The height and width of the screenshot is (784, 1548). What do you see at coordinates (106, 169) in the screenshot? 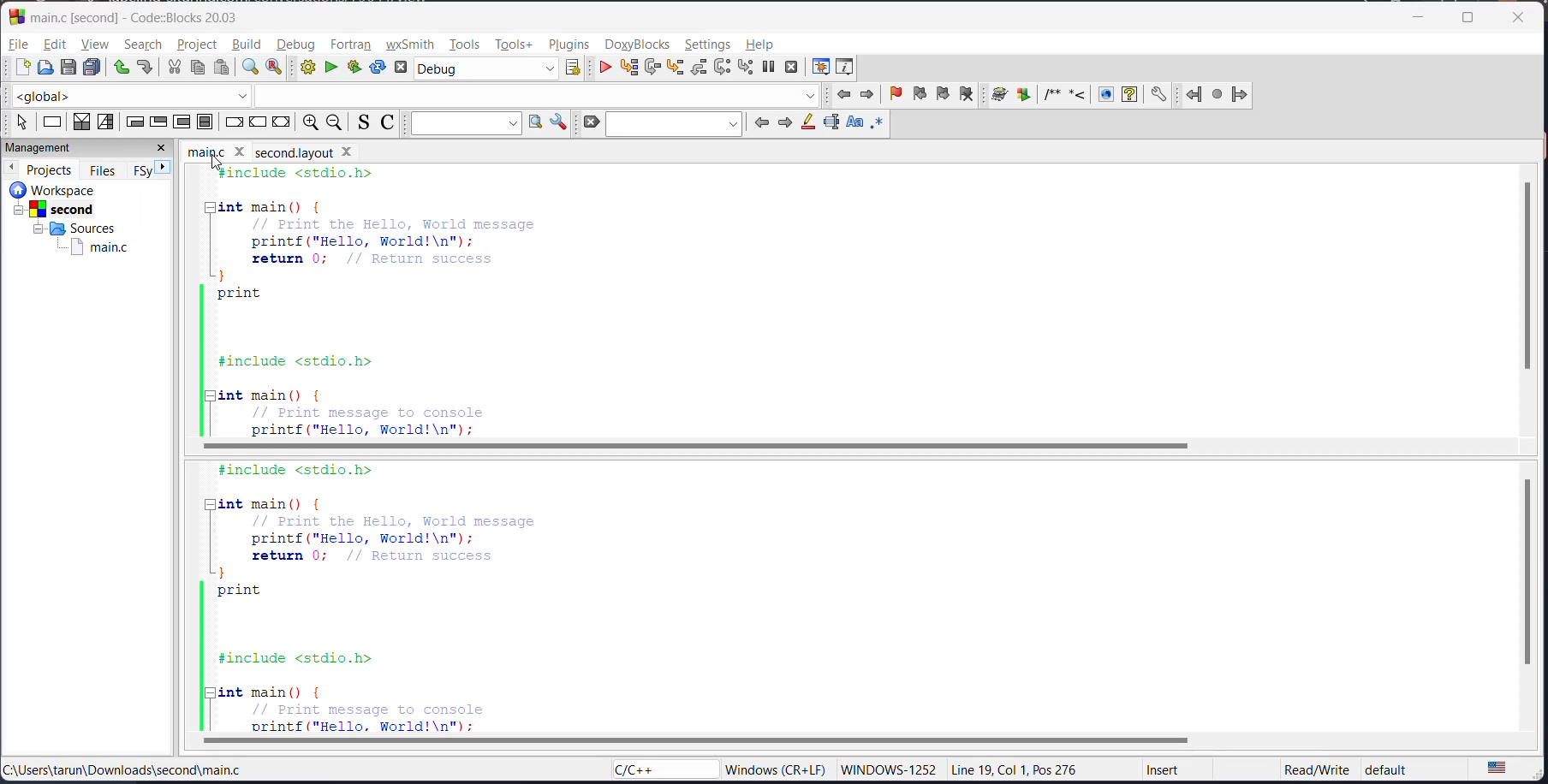
I see `files` at bounding box center [106, 169].